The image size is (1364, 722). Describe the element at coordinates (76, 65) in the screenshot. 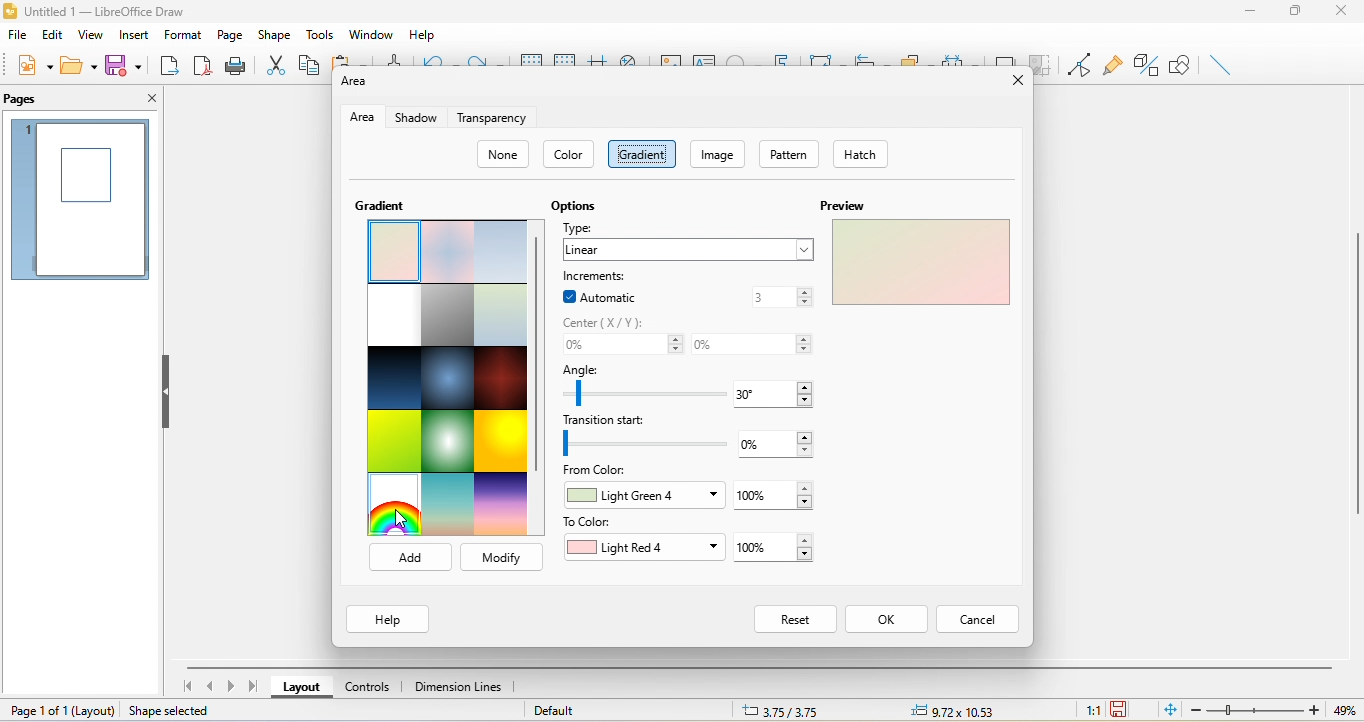

I see `open` at that location.